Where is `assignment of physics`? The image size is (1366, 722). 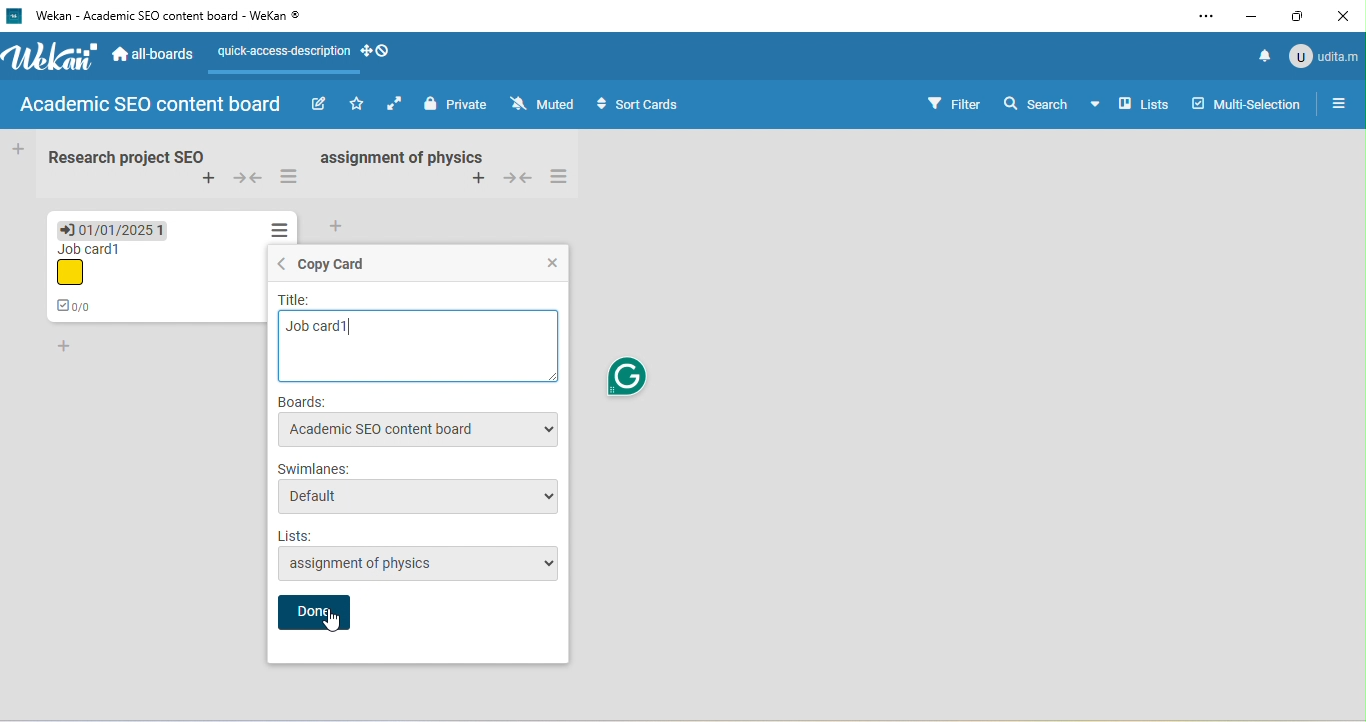
assignment of physics is located at coordinates (417, 565).